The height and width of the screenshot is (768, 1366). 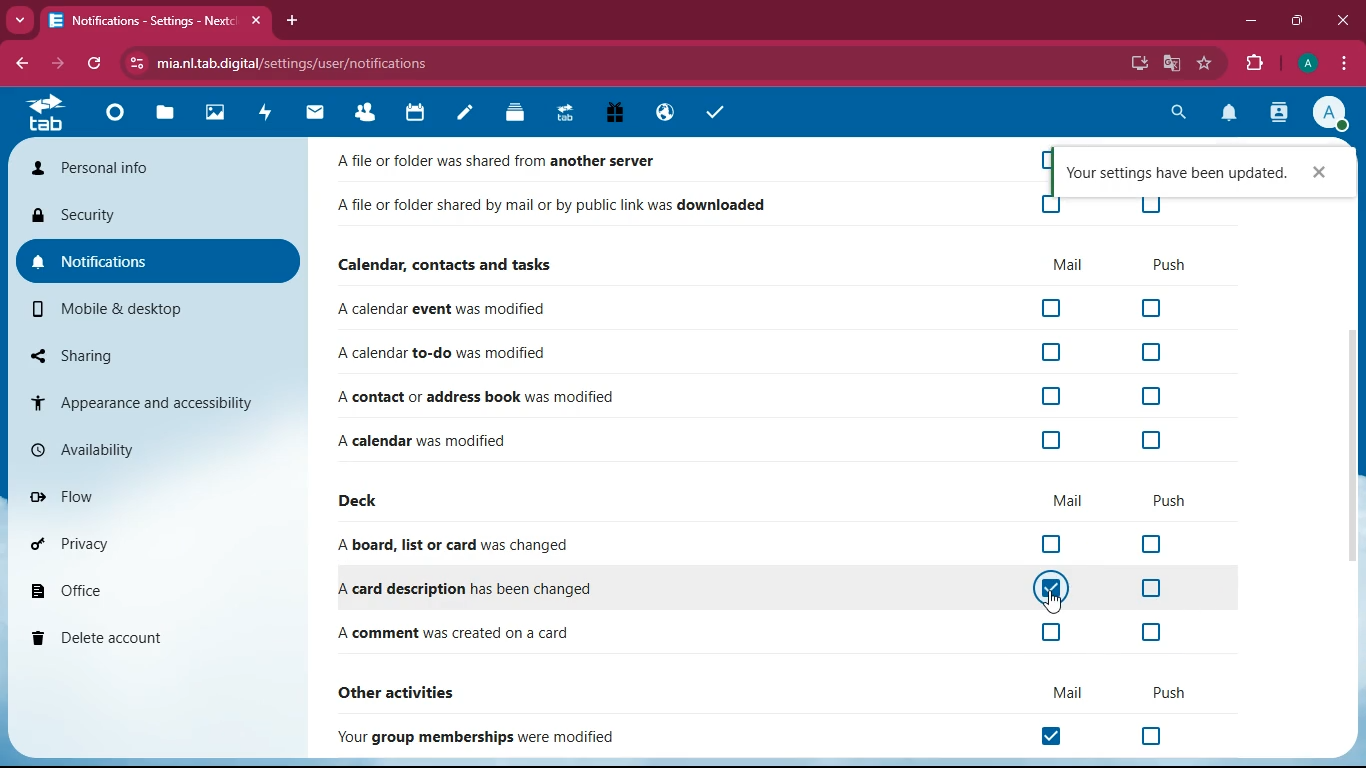 What do you see at coordinates (1340, 21) in the screenshot?
I see `close` at bounding box center [1340, 21].